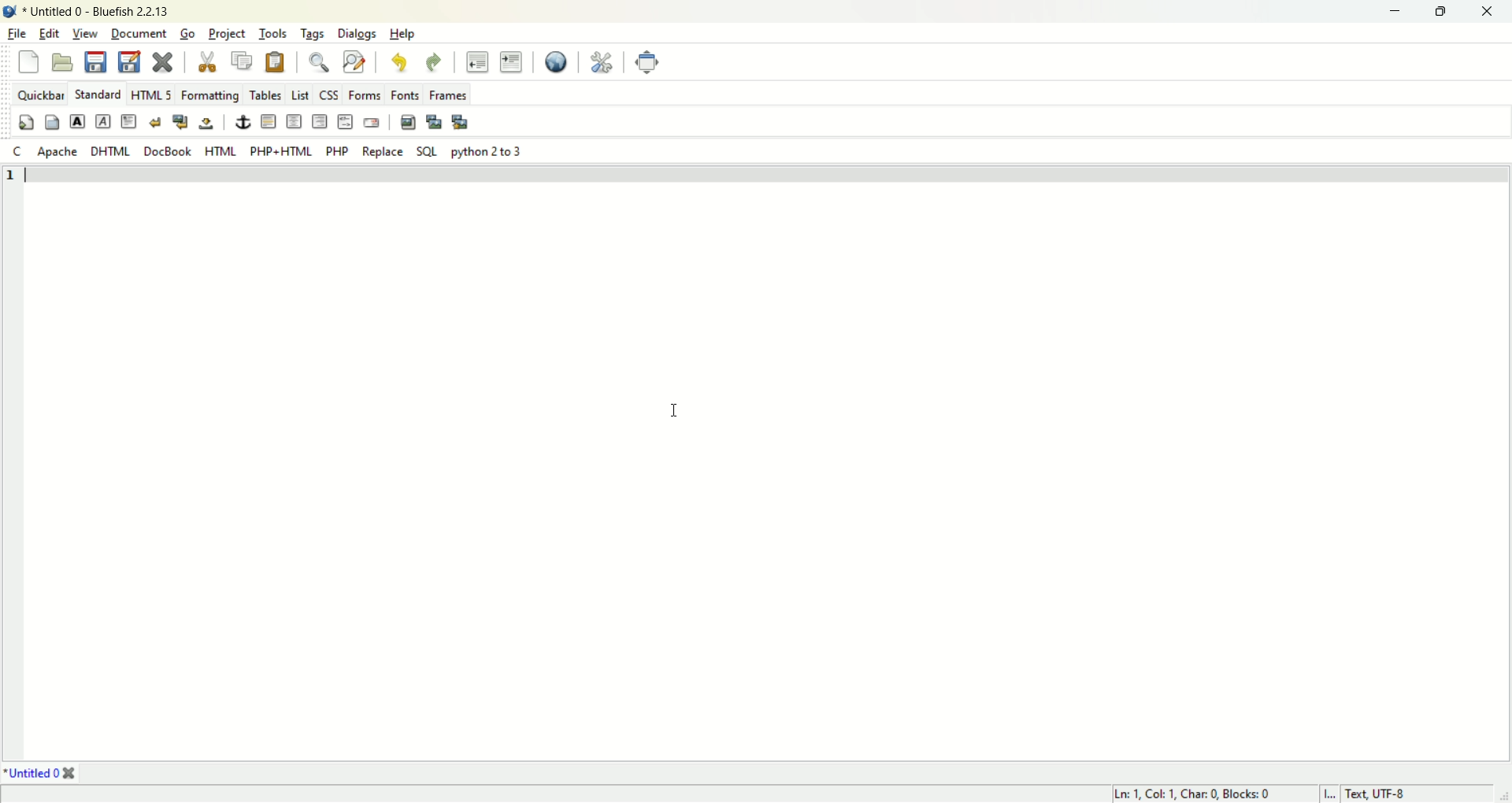 This screenshot has height=803, width=1512. I want to click on find, so click(319, 64).